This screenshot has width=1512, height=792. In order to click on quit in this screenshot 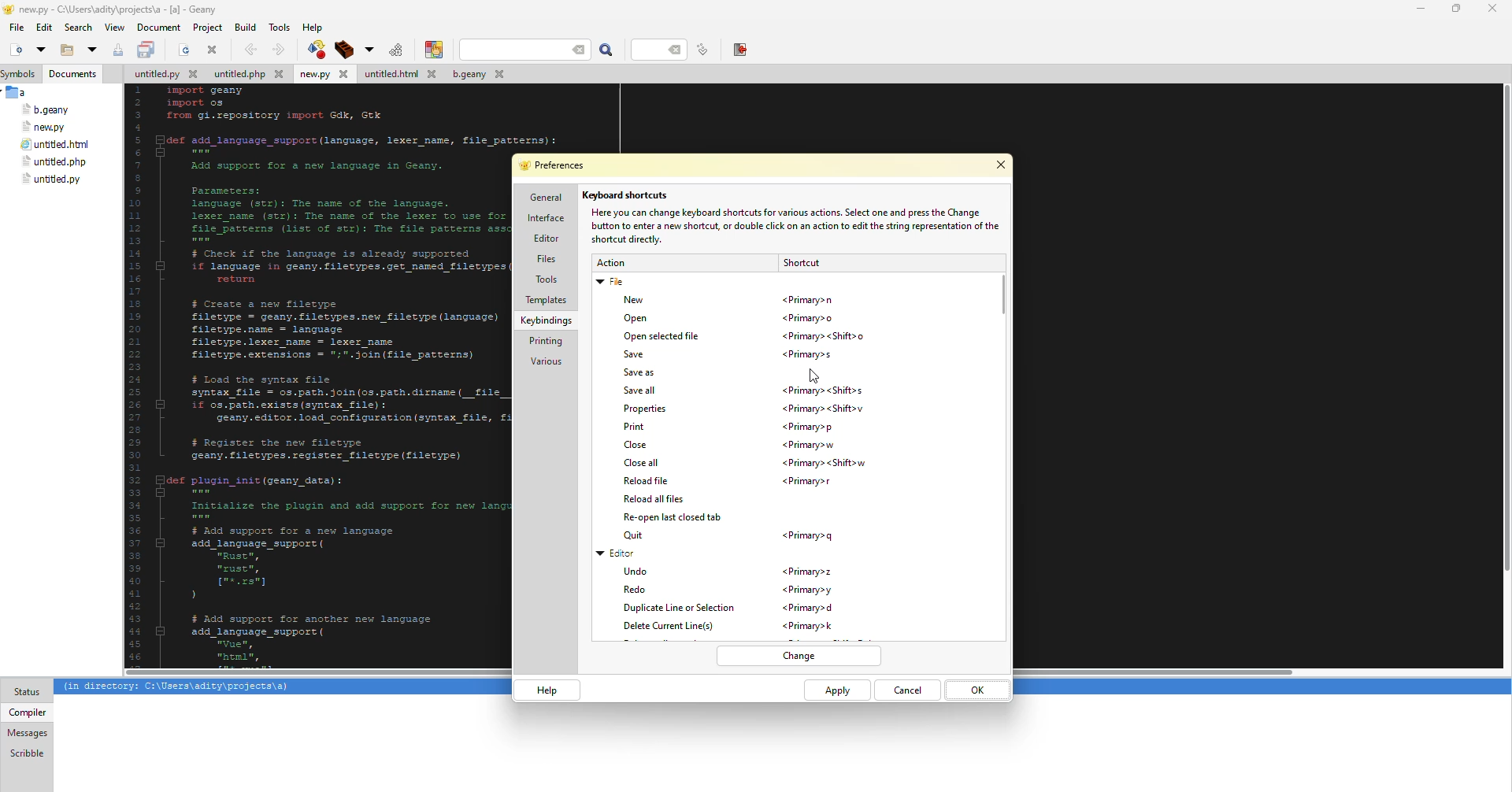, I will do `click(636, 535)`.